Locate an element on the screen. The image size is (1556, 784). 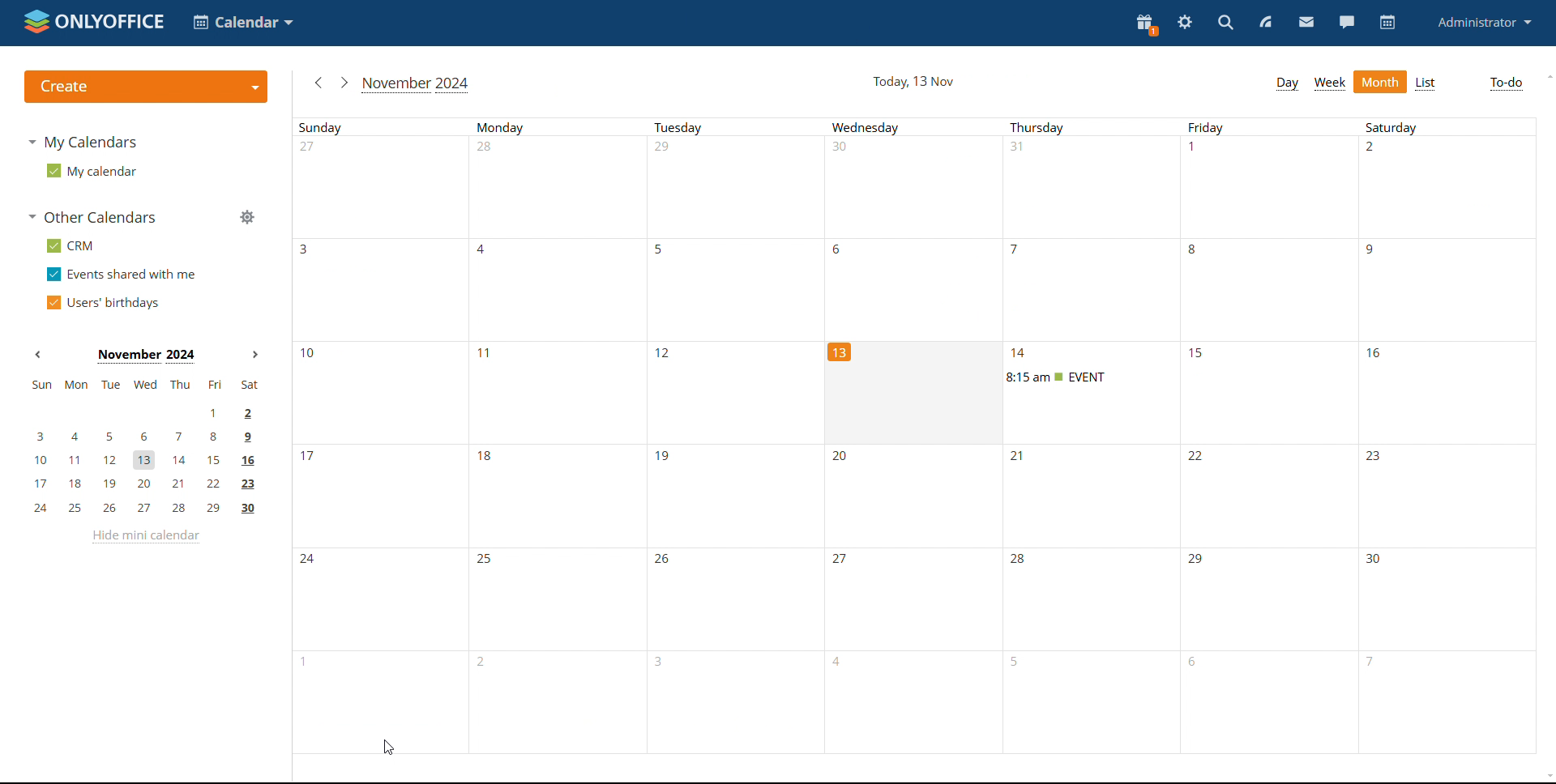
current month is located at coordinates (417, 84).